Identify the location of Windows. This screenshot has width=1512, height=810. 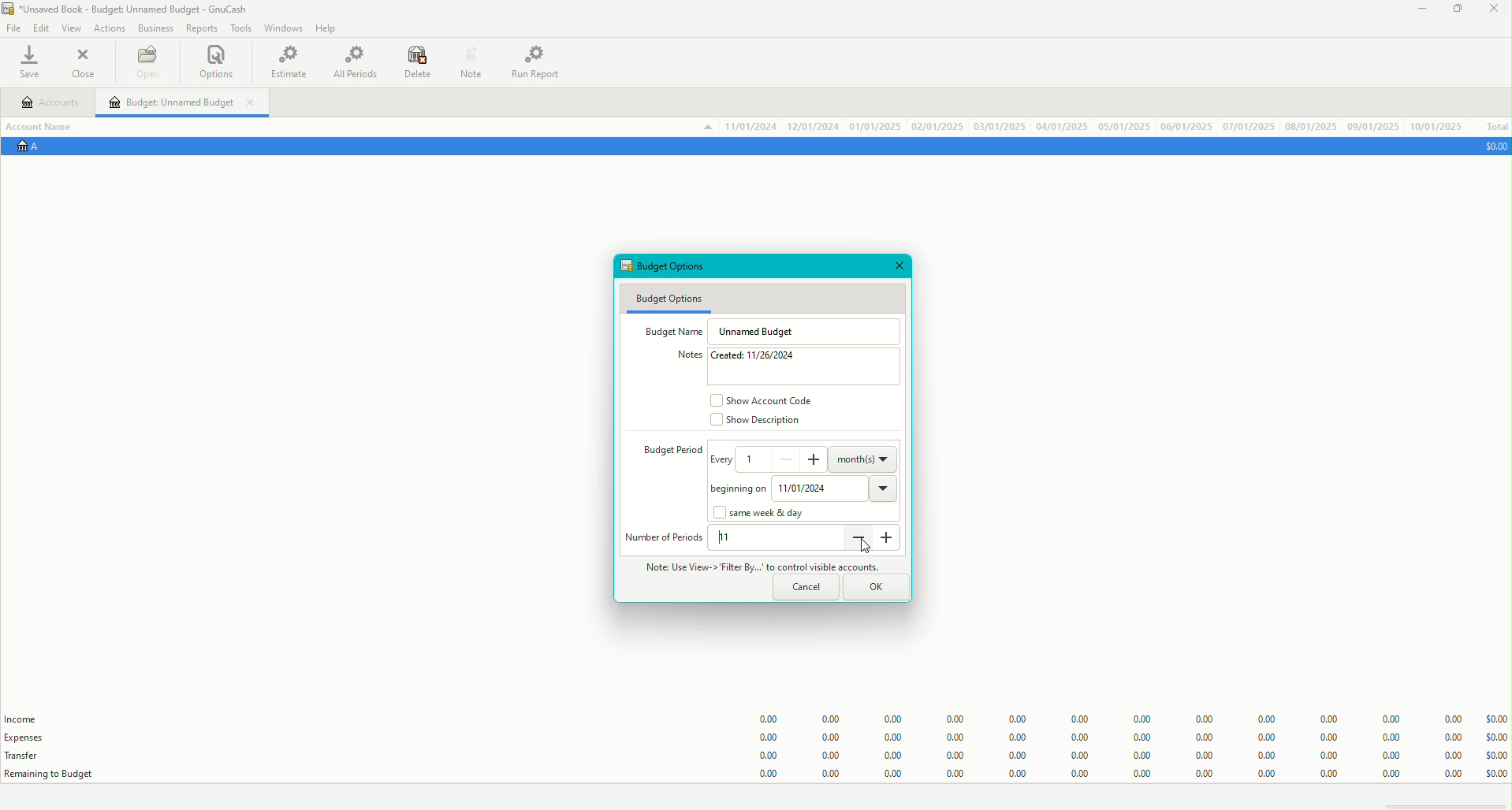
(283, 30).